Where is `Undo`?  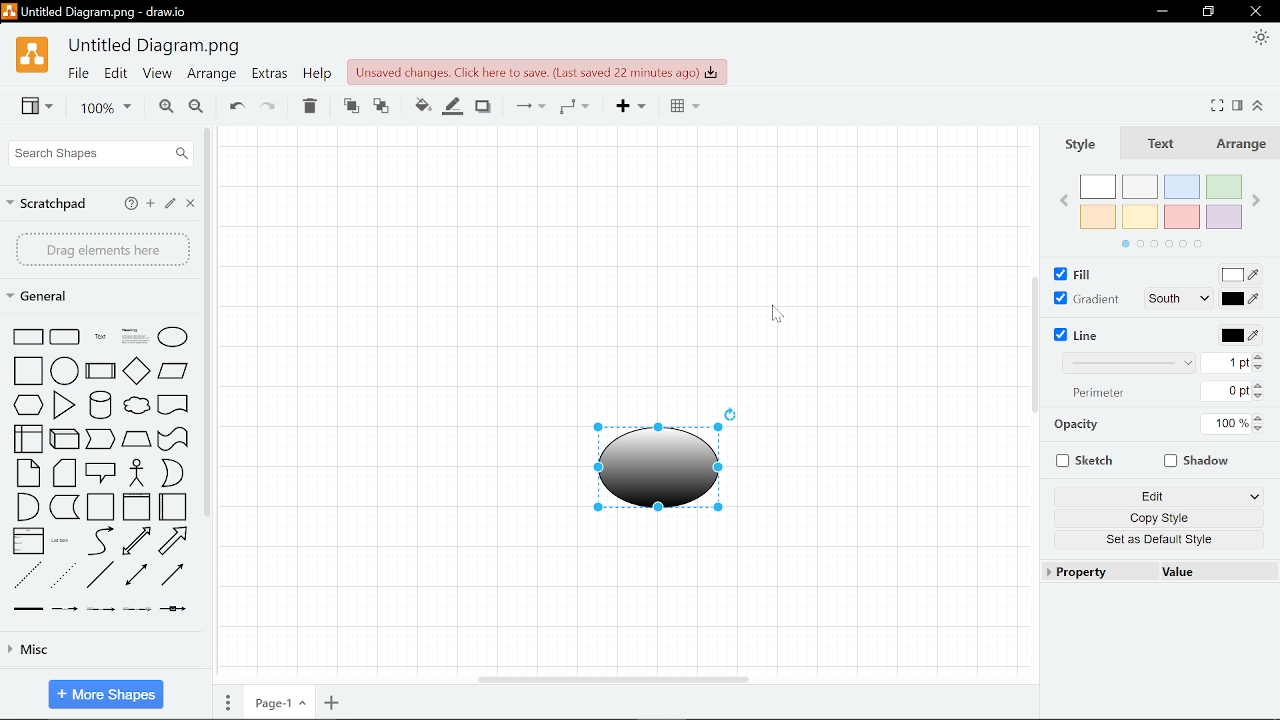 Undo is located at coordinates (233, 104).